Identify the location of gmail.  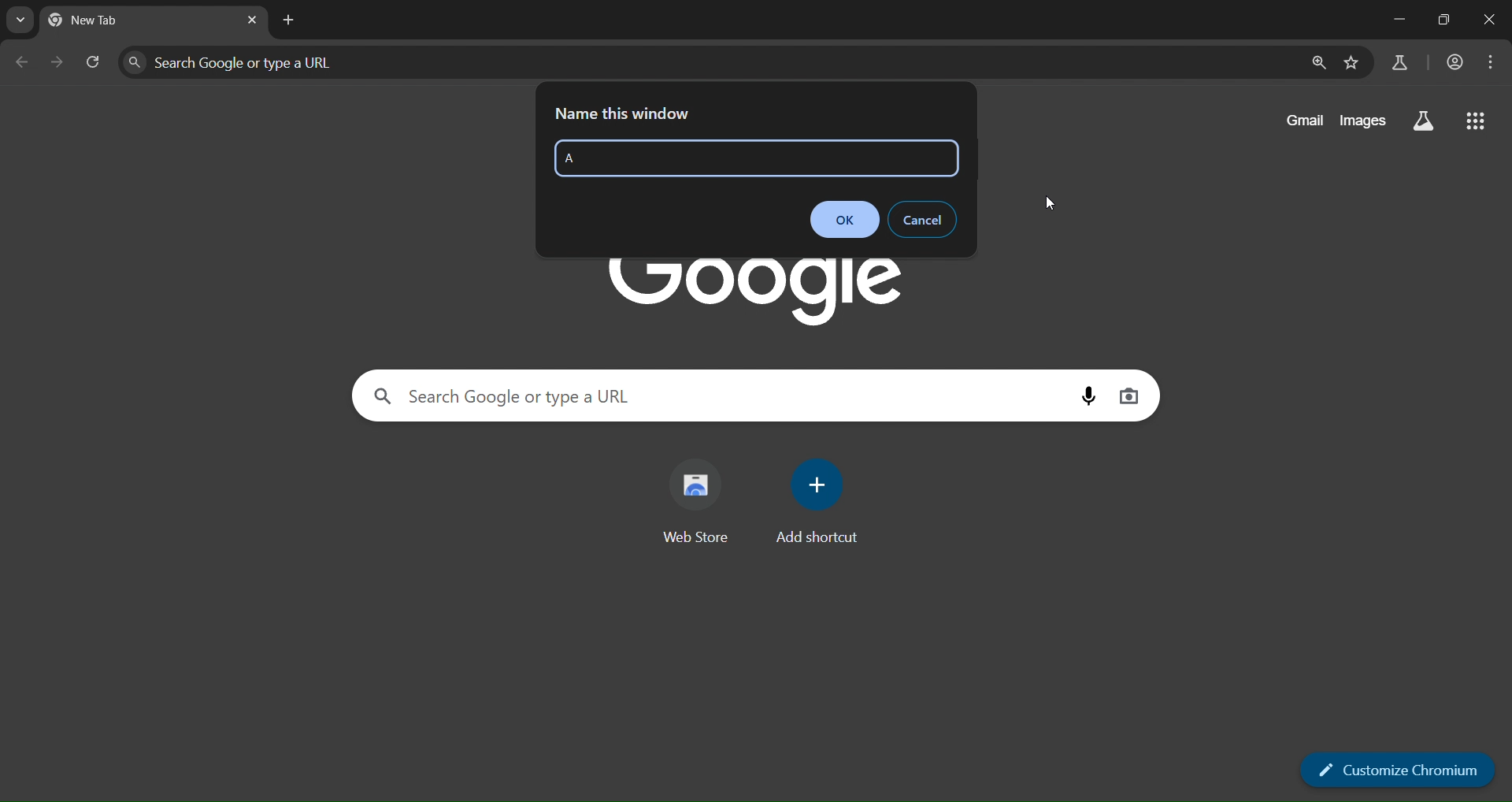
(1301, 122).